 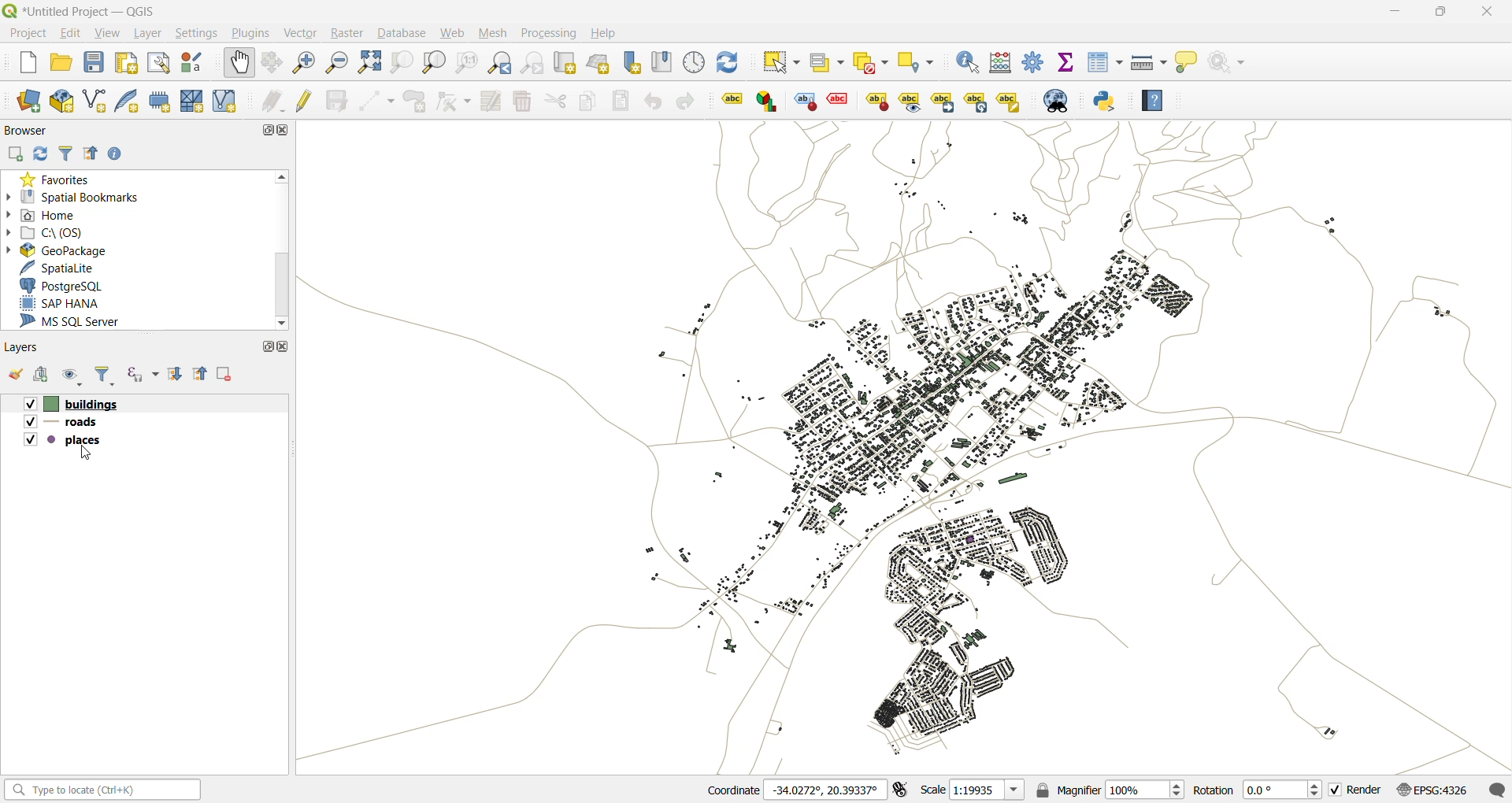 I want to click on log messages, so click(x=1496, y=787).